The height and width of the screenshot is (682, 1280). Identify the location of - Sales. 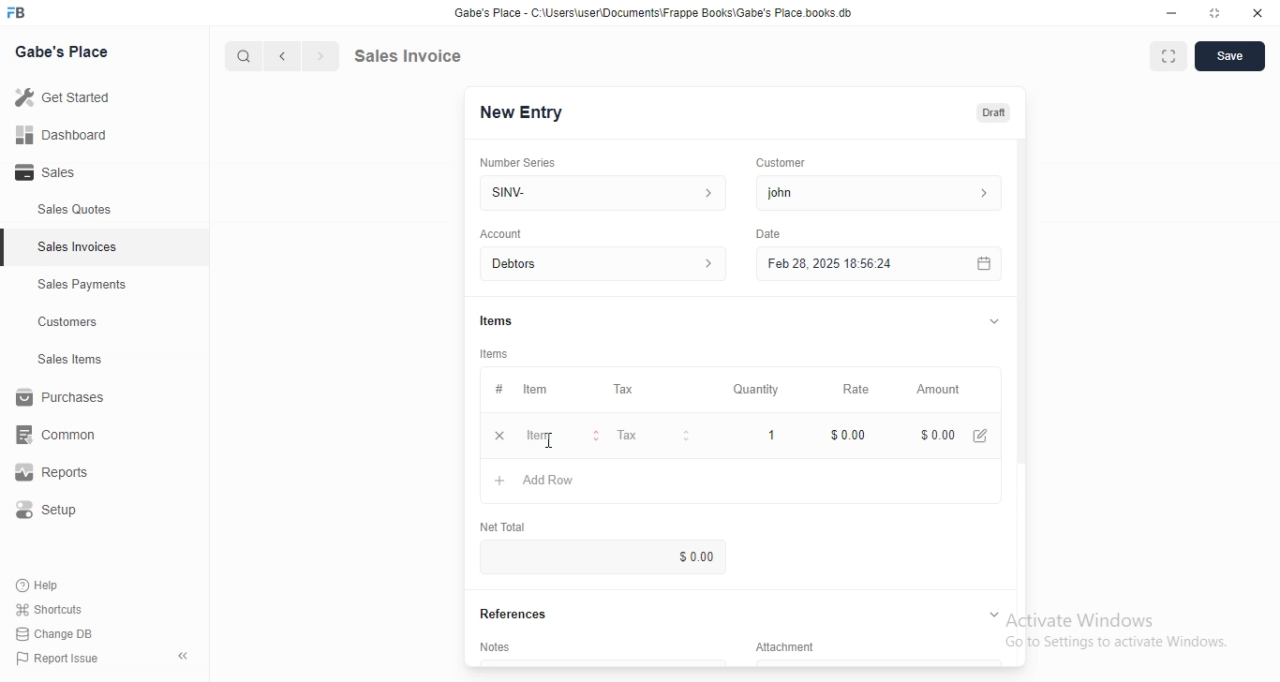
(64, 175).